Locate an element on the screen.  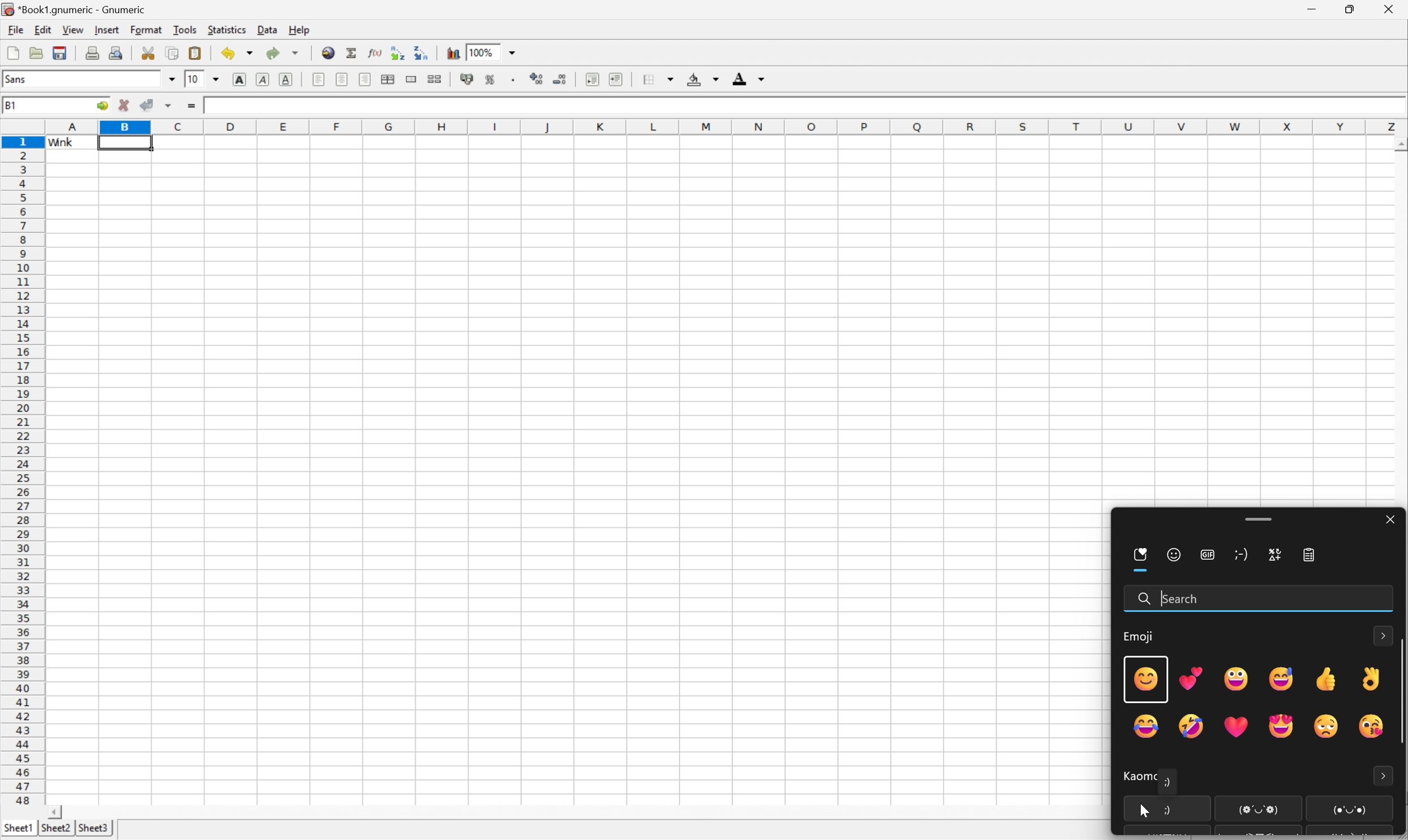
cut is located at coordinates (148, 53).